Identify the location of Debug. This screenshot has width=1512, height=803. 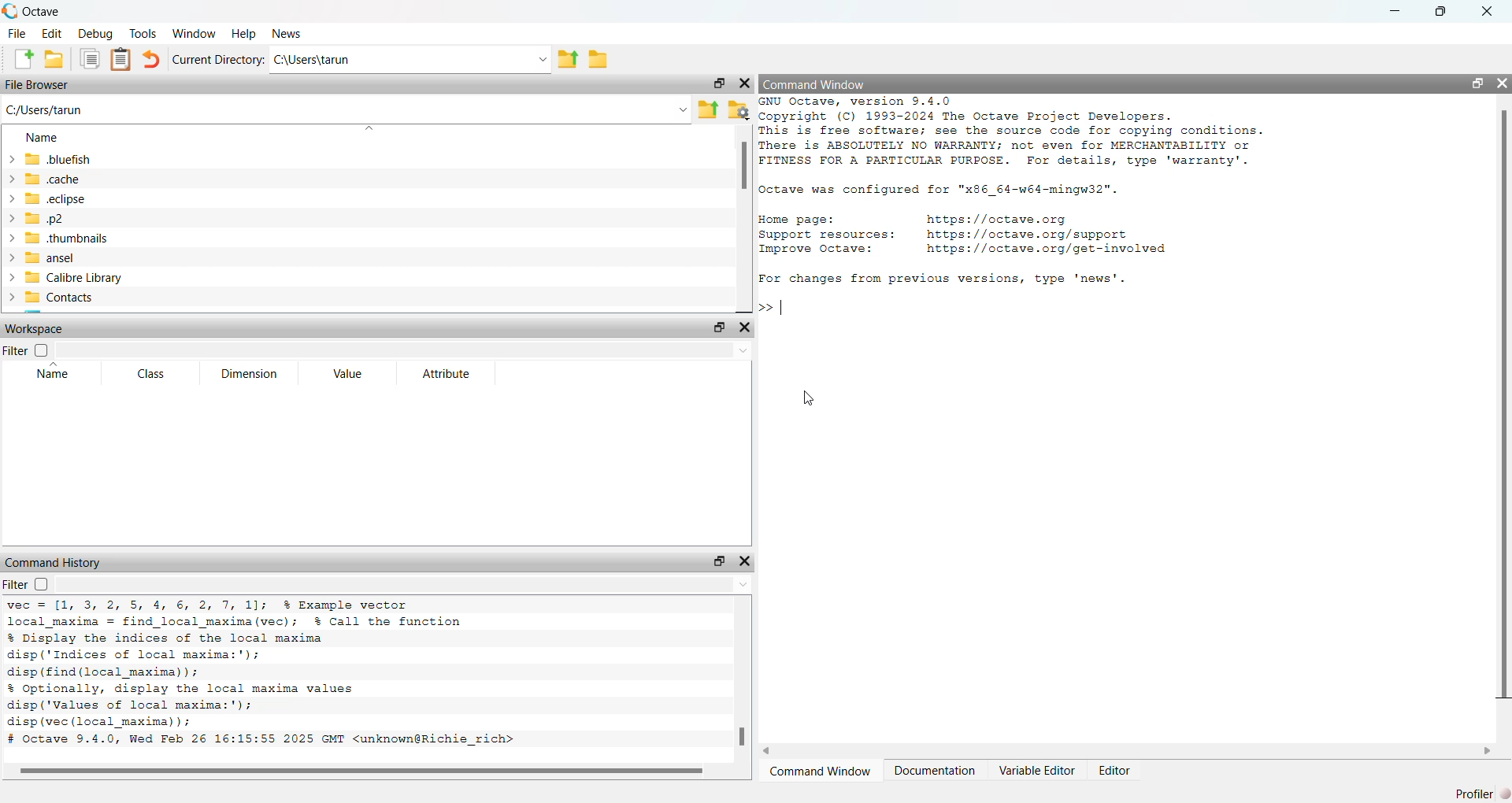
(95, 33).